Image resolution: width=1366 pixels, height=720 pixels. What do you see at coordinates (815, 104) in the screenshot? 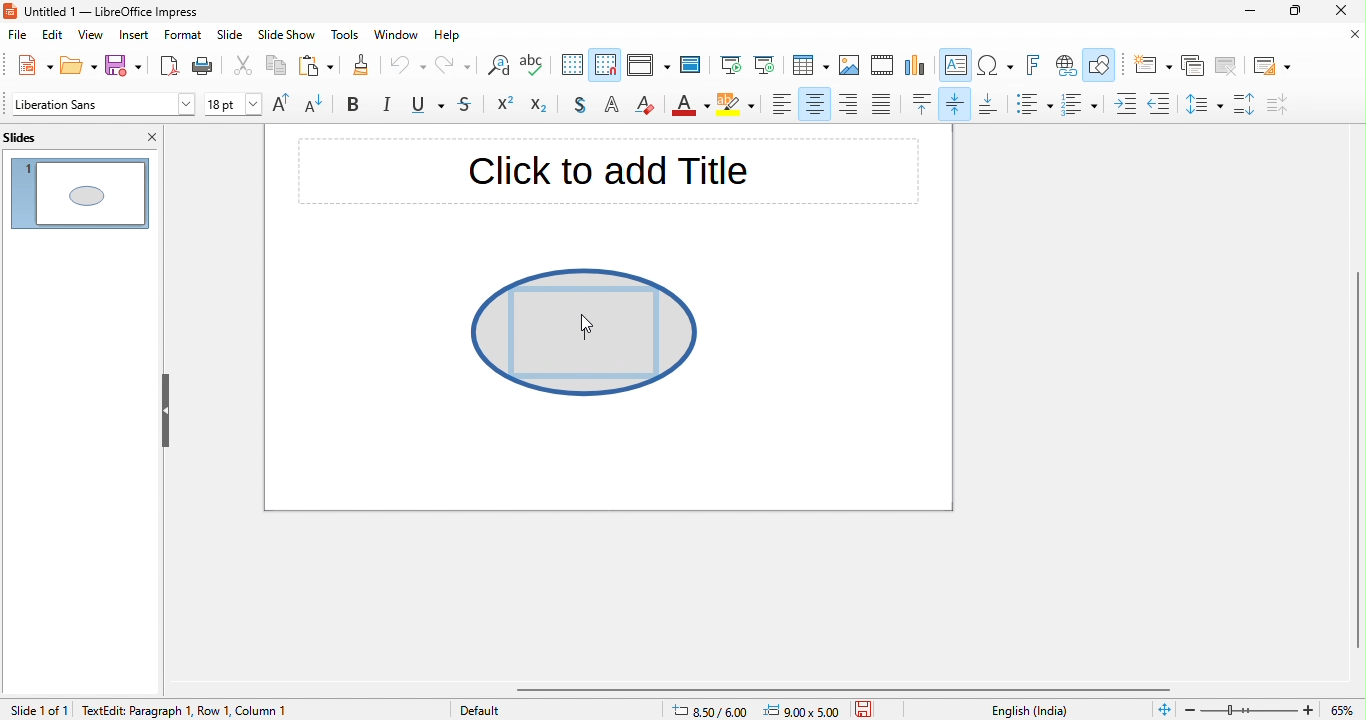
I see `align center` at bounding box center [815, 104].